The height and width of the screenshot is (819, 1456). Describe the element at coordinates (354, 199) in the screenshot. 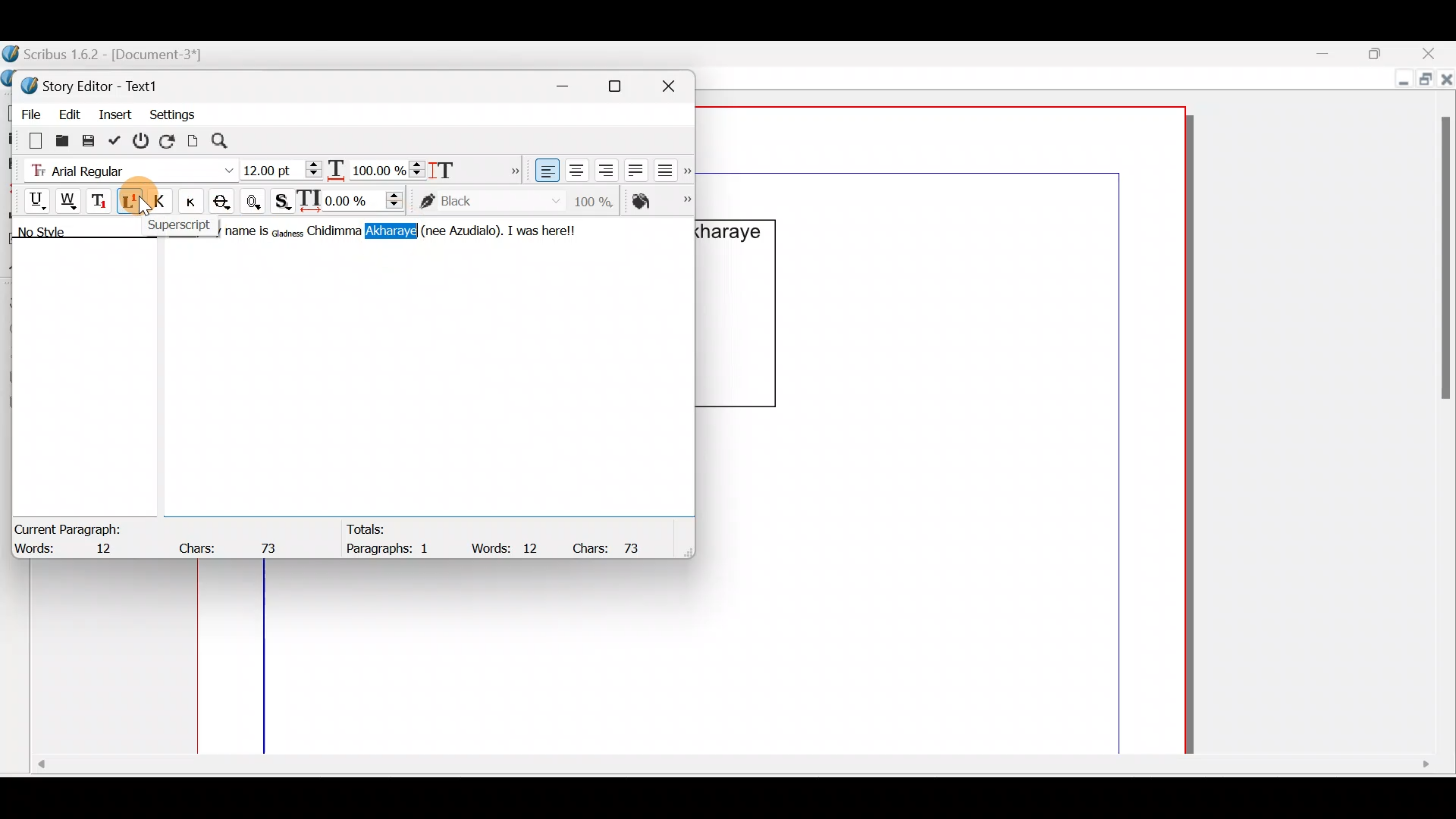

I see `Manual tracking` at that location.